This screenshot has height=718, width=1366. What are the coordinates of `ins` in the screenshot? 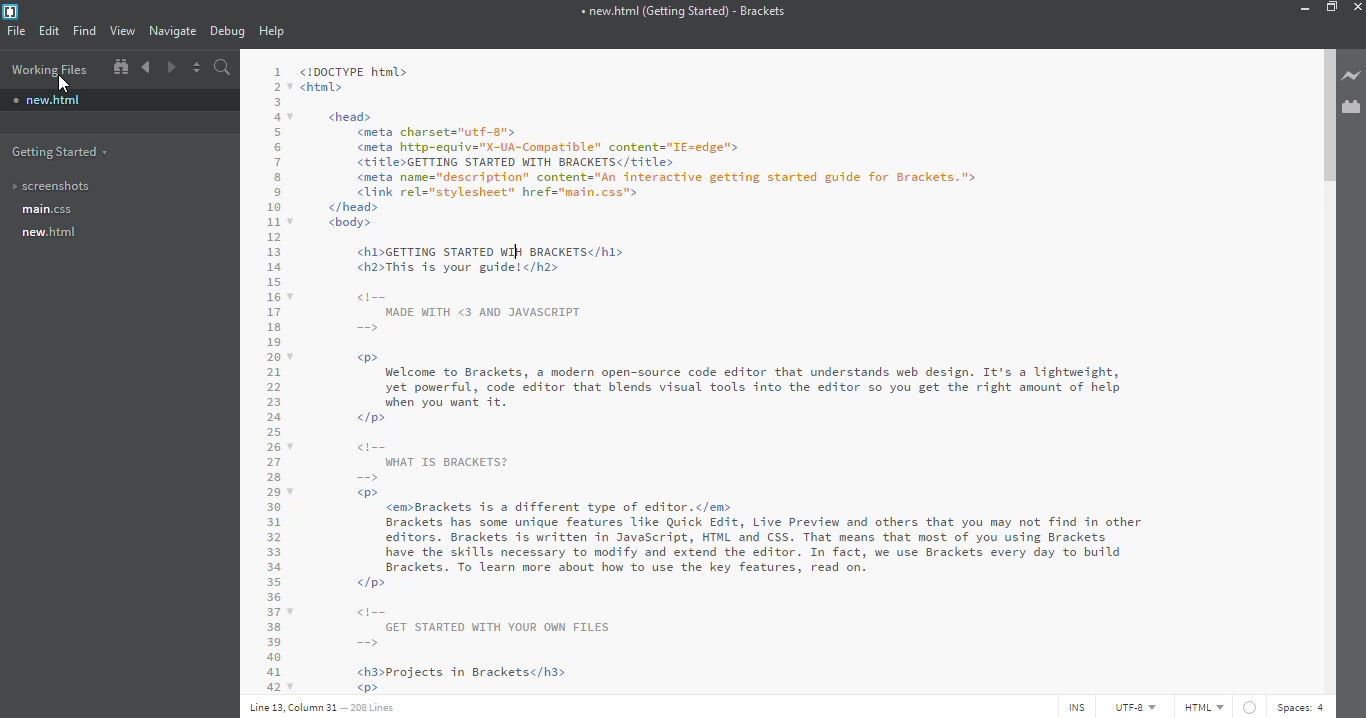 It's located at (1074, 707).